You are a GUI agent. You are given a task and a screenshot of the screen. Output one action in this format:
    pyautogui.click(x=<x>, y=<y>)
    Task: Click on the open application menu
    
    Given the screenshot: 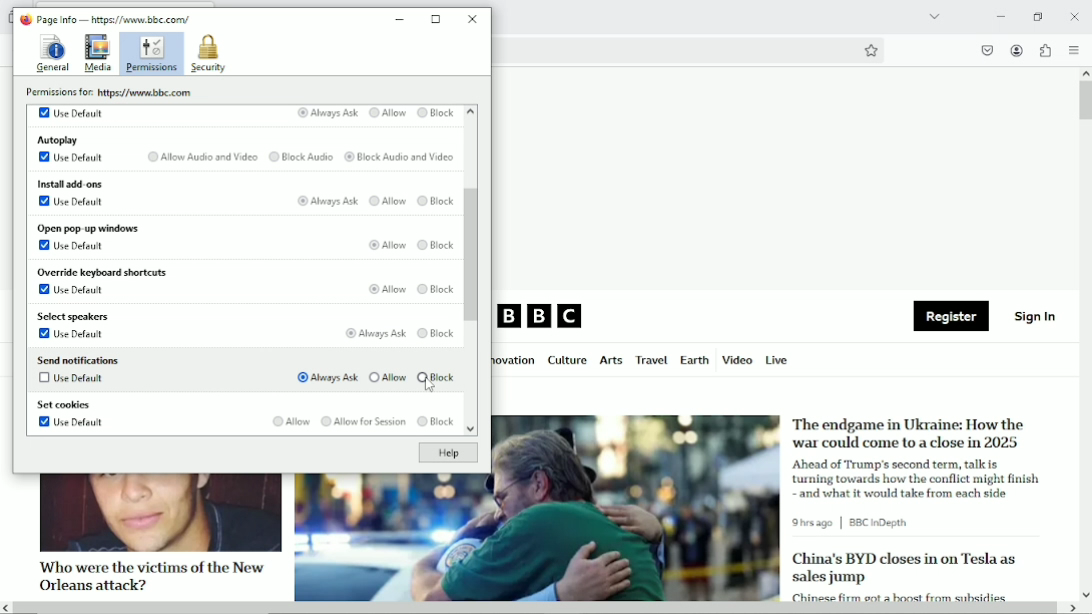 What is the action you would take?
    pyautogui.click(x=1073, y=50)
    